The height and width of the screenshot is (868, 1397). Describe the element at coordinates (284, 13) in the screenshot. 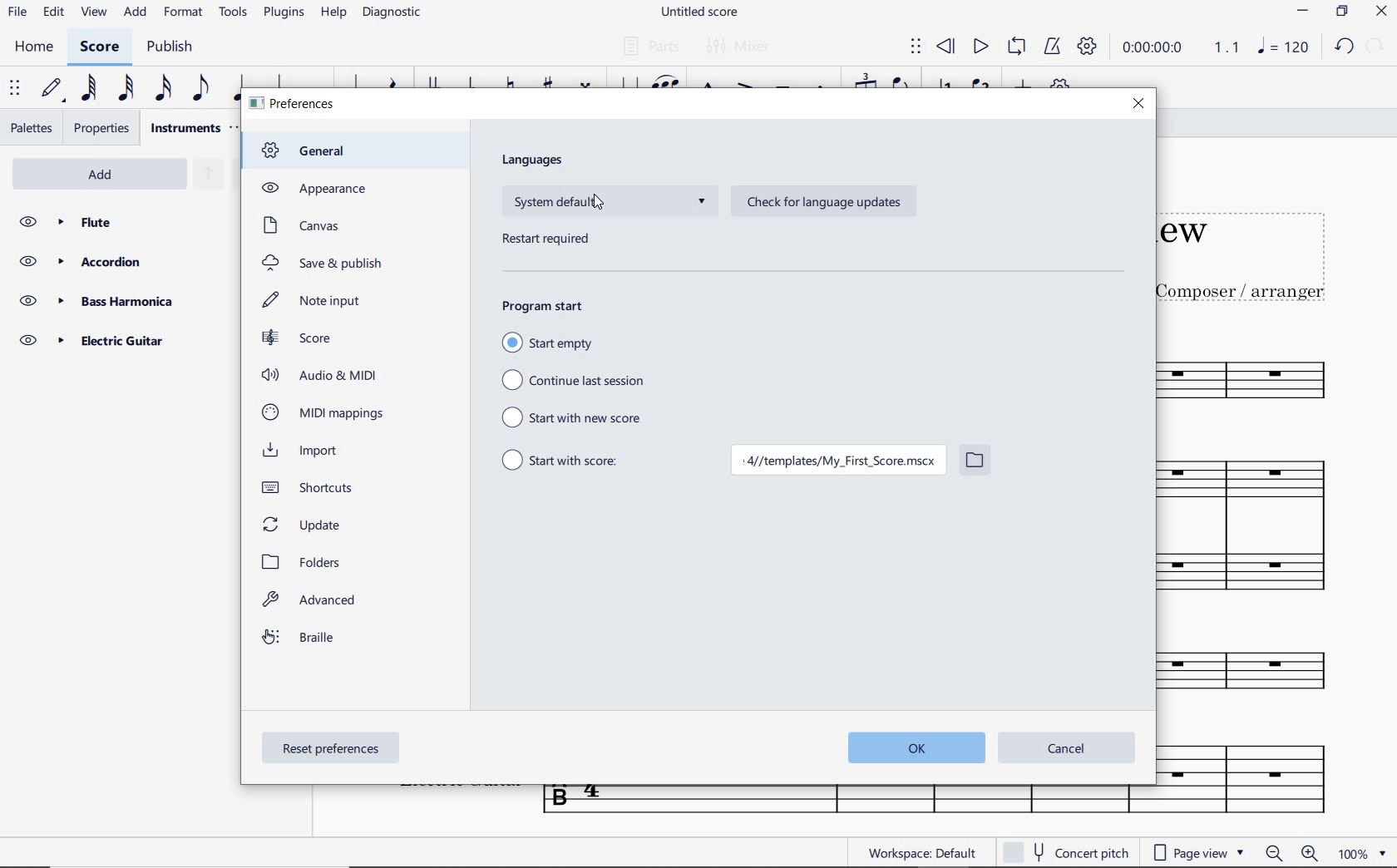

I see `plugins` at that location.